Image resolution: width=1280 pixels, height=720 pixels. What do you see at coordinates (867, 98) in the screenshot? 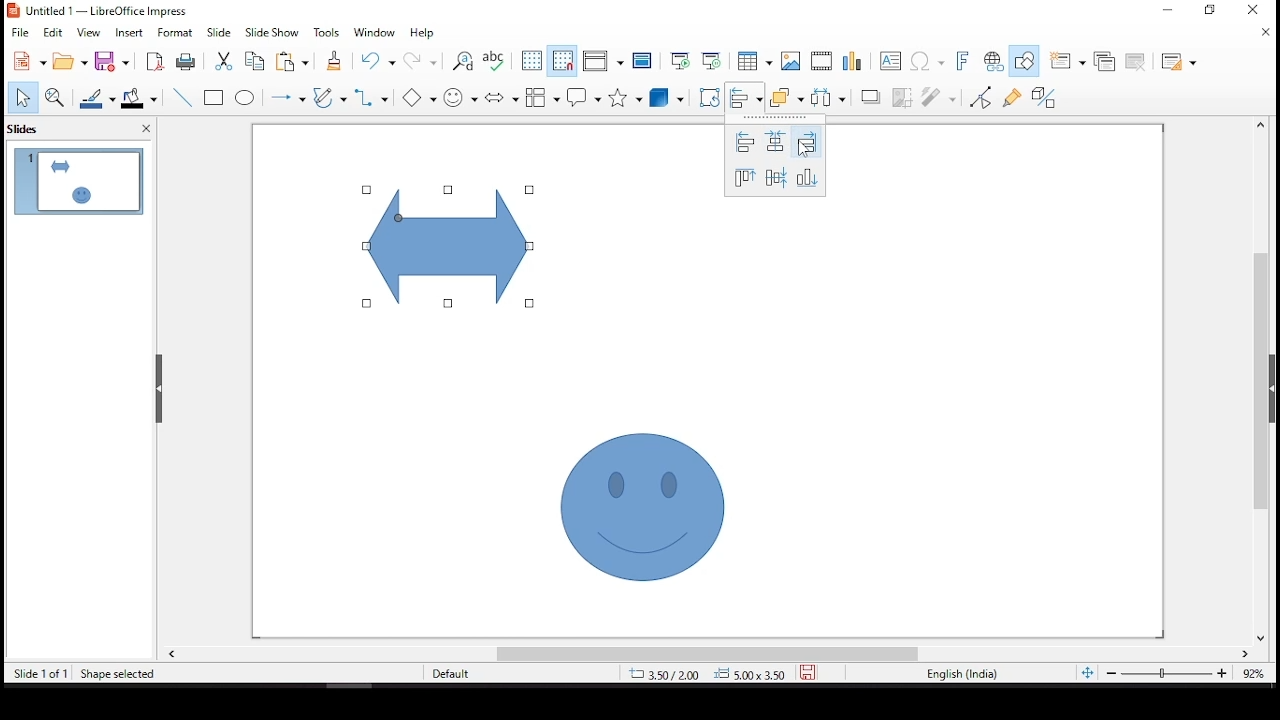
I see `shadow` at bounding box center [867, 98].